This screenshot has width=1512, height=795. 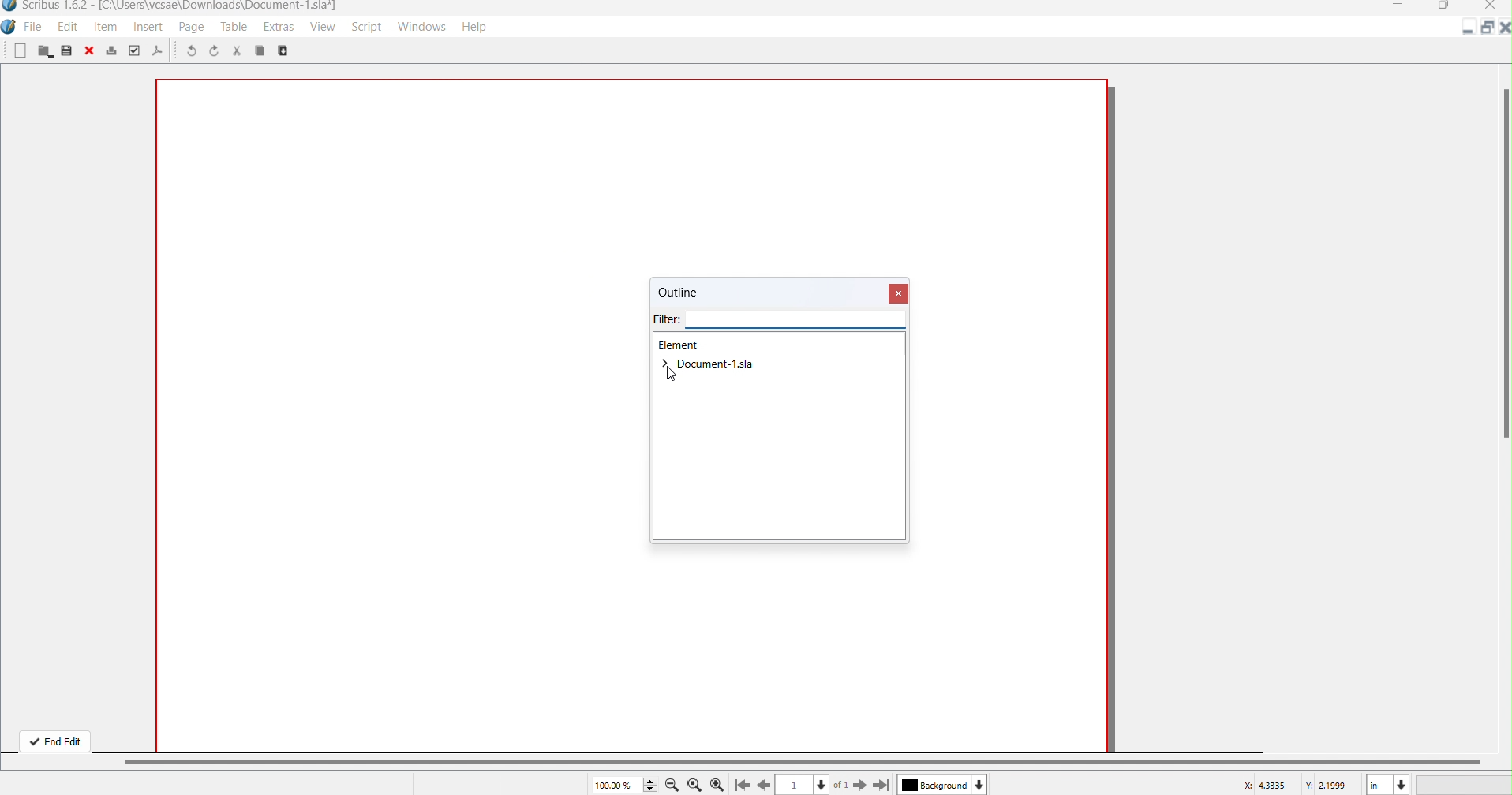 I want to click on go to end, so click(x=882, y=786).